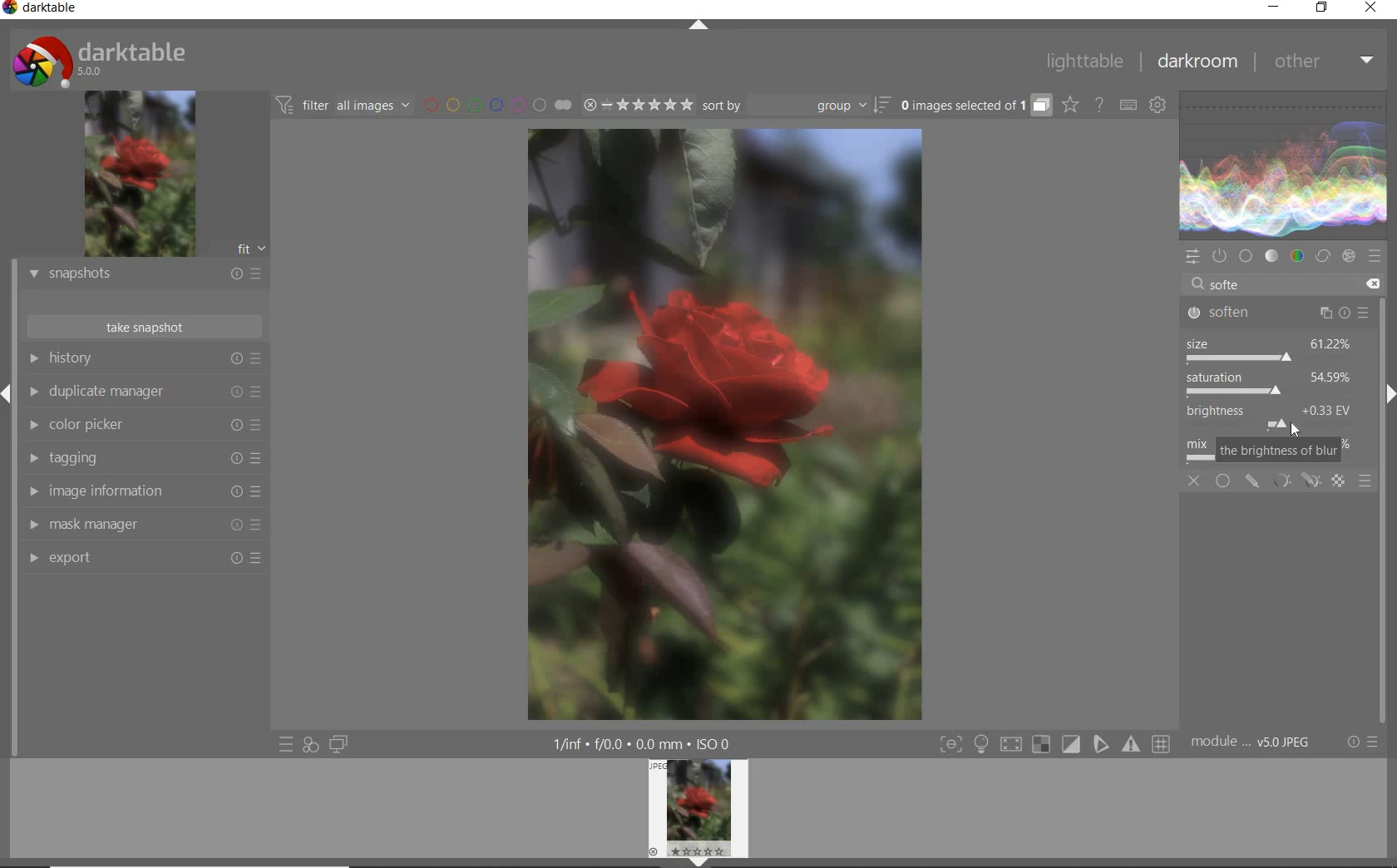 This screenshot has width=1397, height=868. I want to click on base, so click(1244, 255).